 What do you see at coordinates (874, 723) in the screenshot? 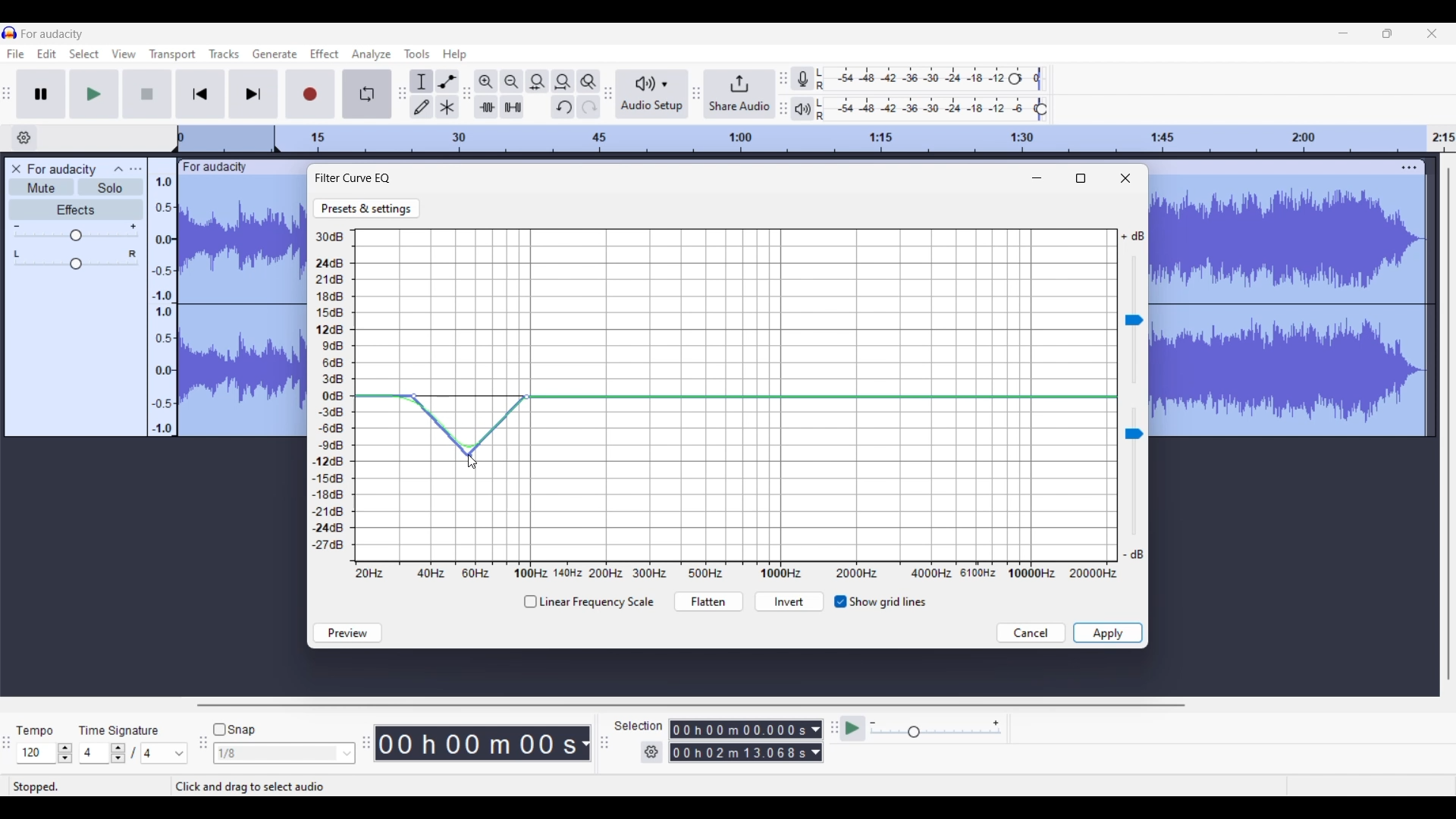
I see `Min. playback speed` at bounding box center [874, 723].